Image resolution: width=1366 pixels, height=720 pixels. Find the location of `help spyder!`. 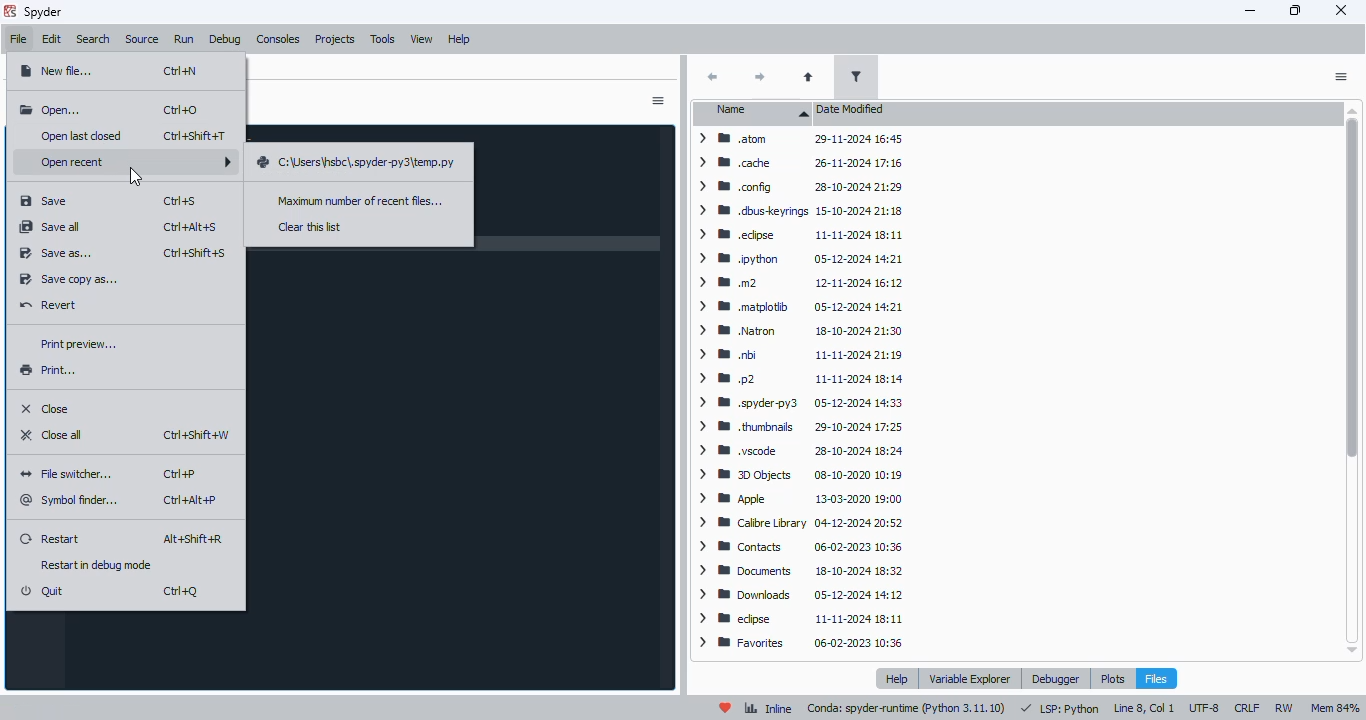

help spyder! is located at coordinates (725, 708).